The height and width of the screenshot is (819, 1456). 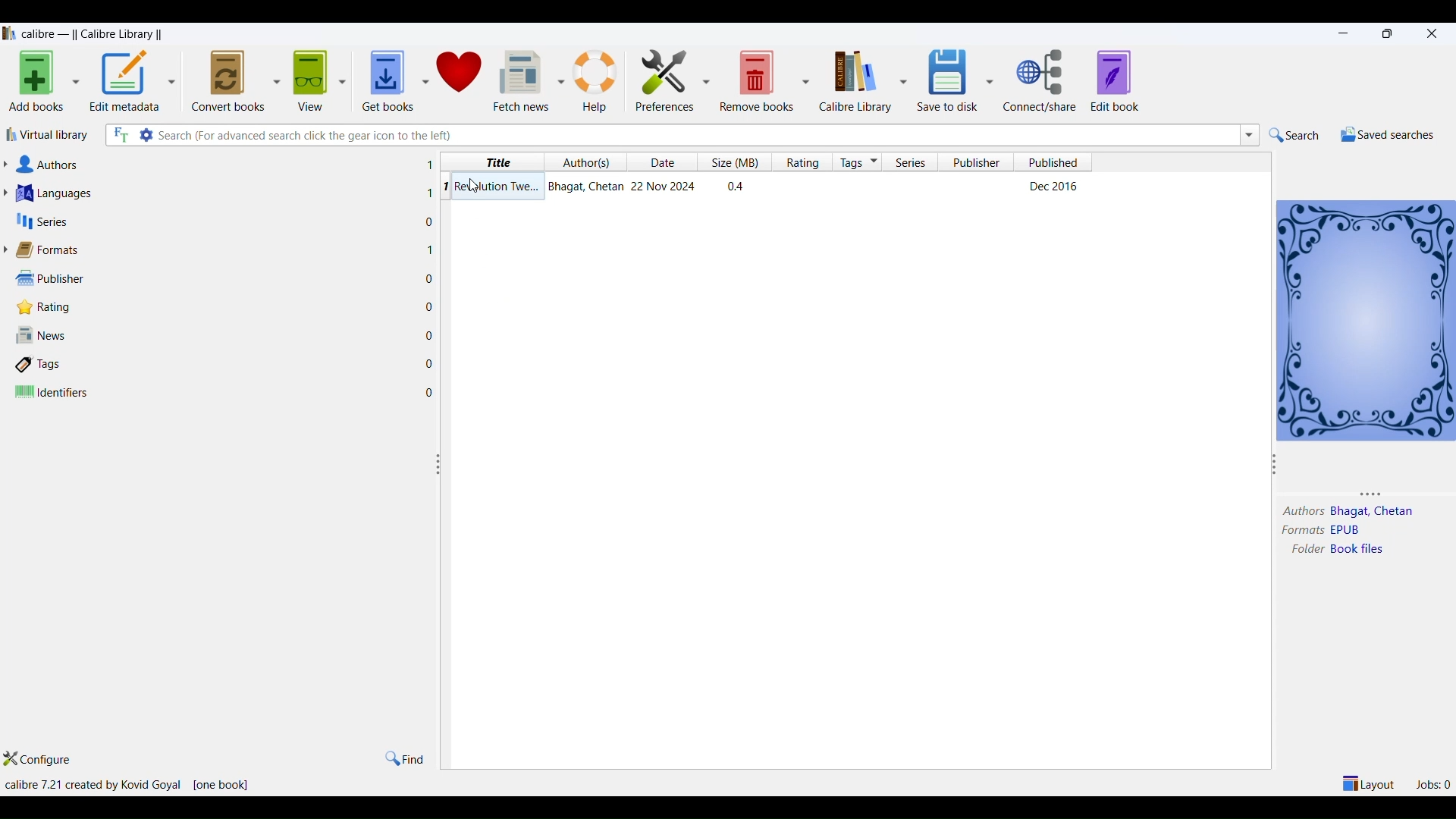 I want to click on 0, so click(x=431, y=391).